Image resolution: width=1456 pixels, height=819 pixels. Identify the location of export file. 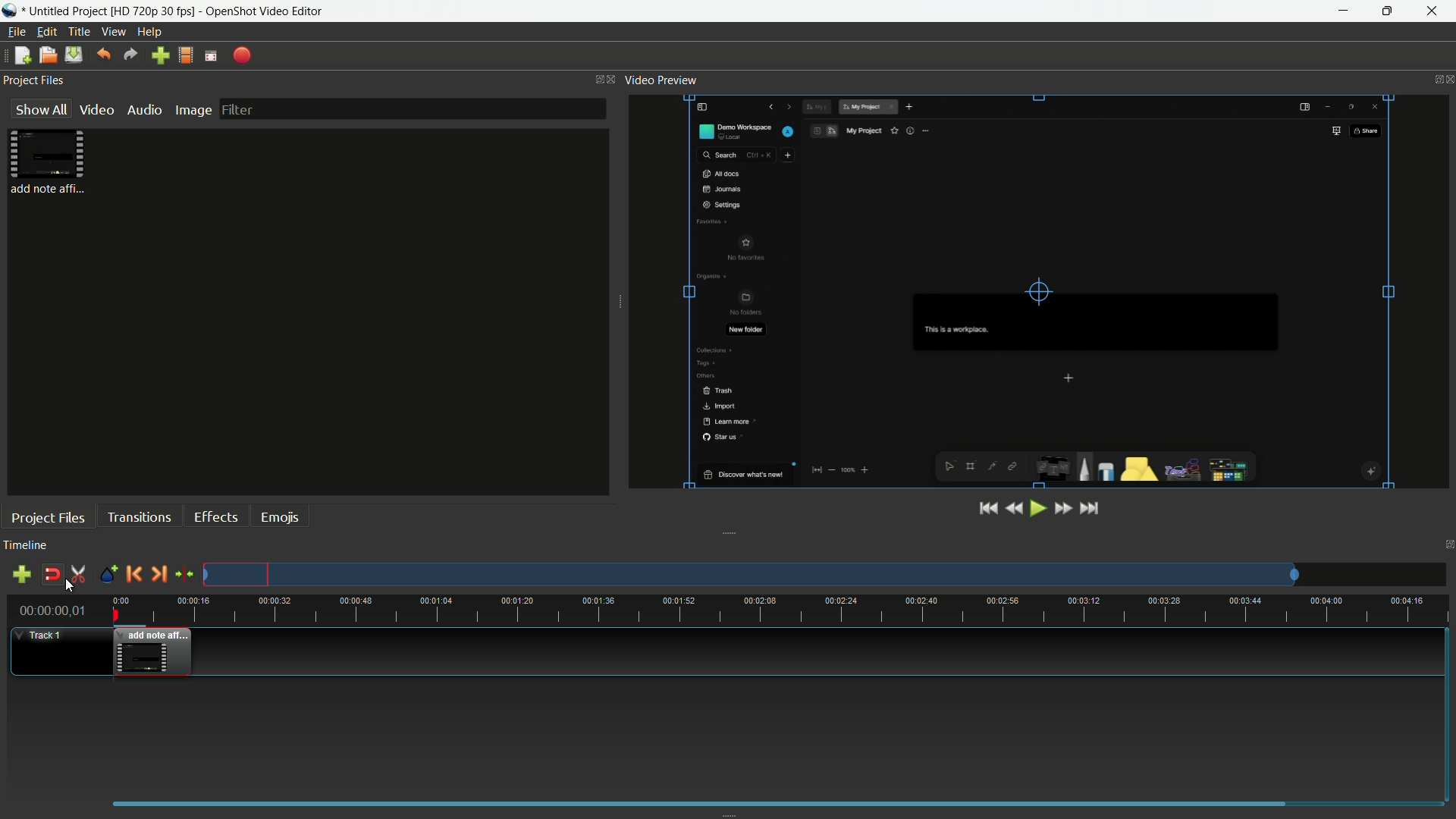
(240, 58).